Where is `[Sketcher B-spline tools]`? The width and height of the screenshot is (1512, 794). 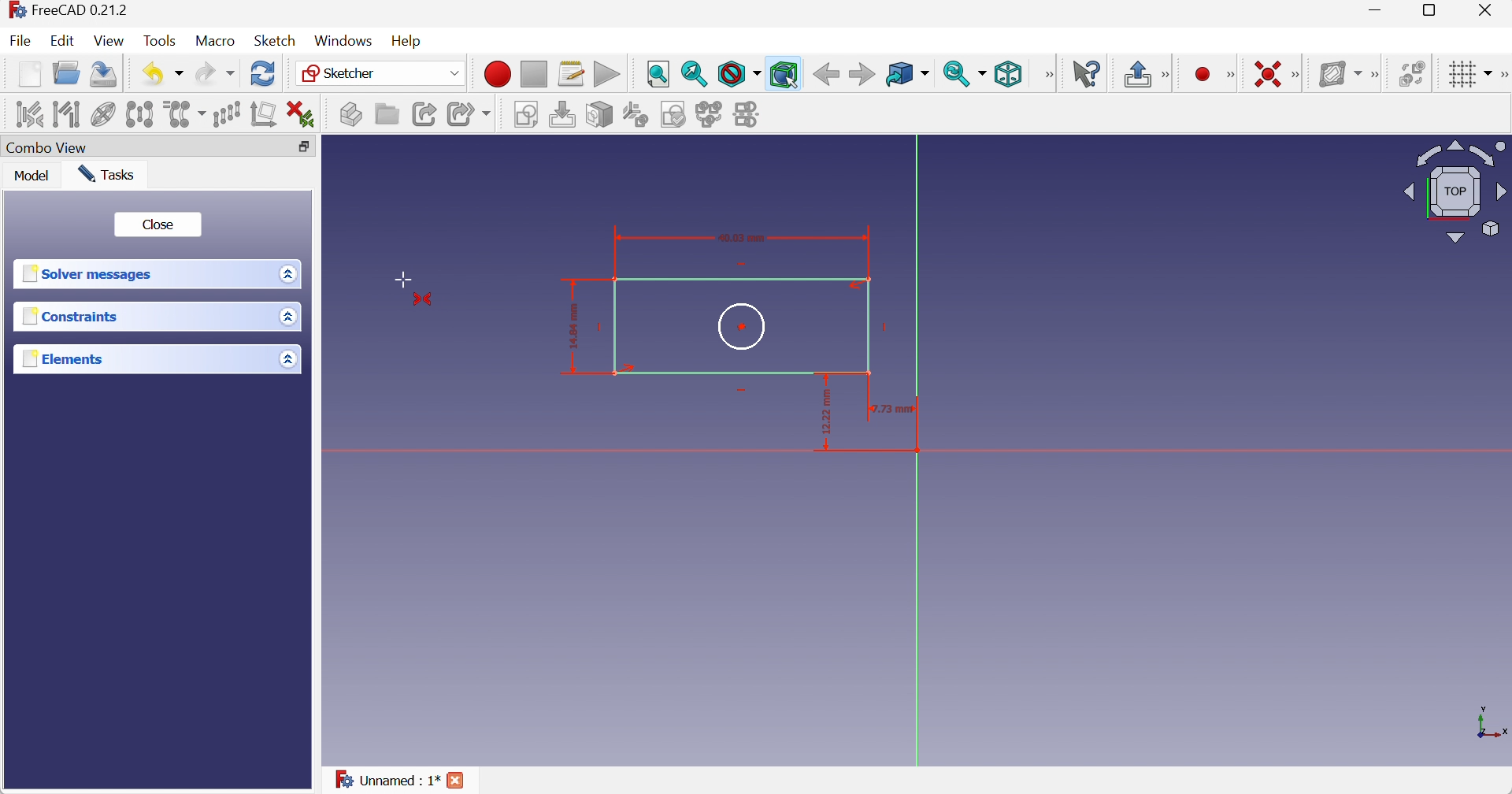 [Sketcher B-spline tools] is located at coordinates (1377, 74).